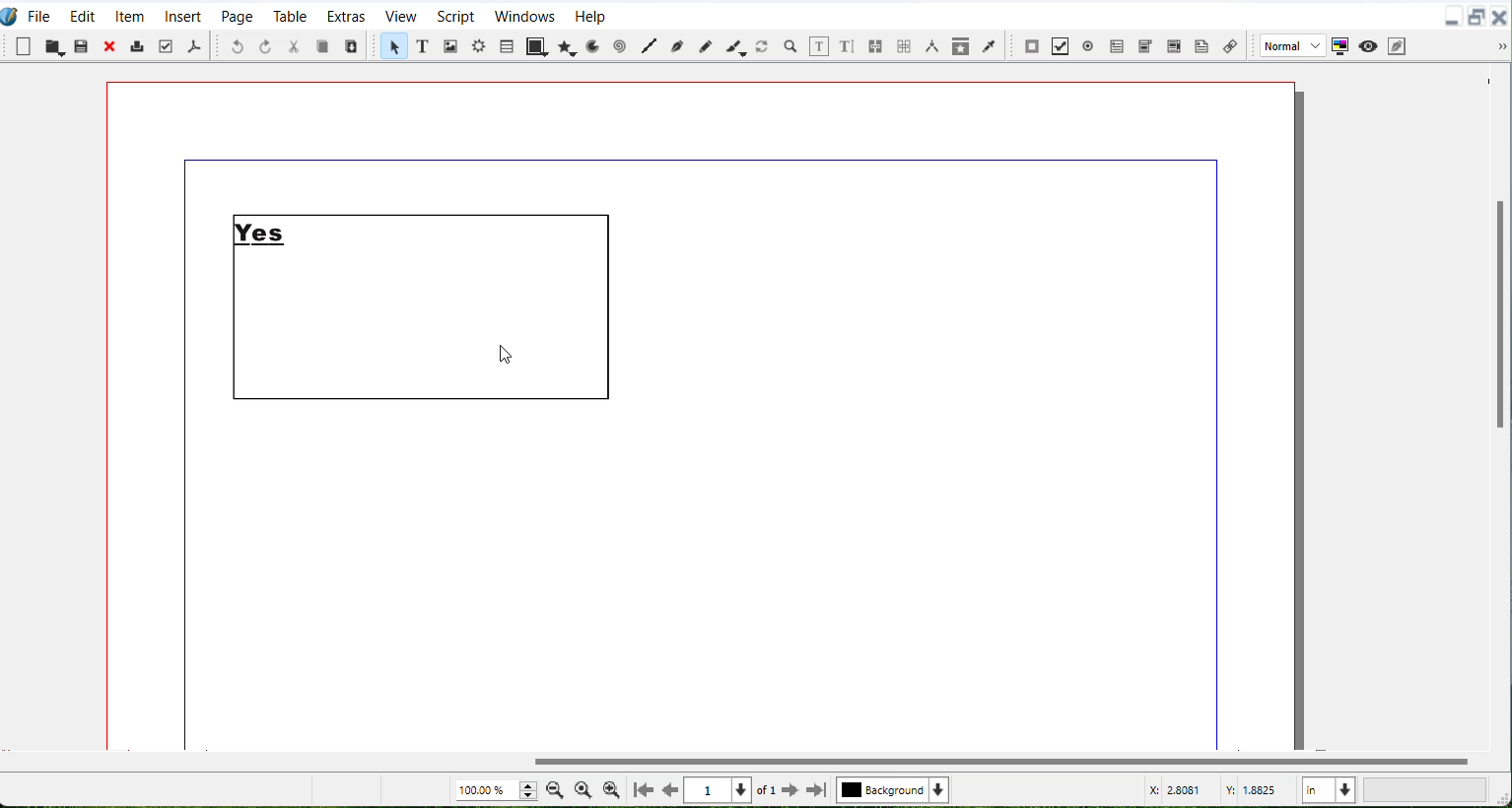  I want to click on Link Annotation, so click(1230, 43).